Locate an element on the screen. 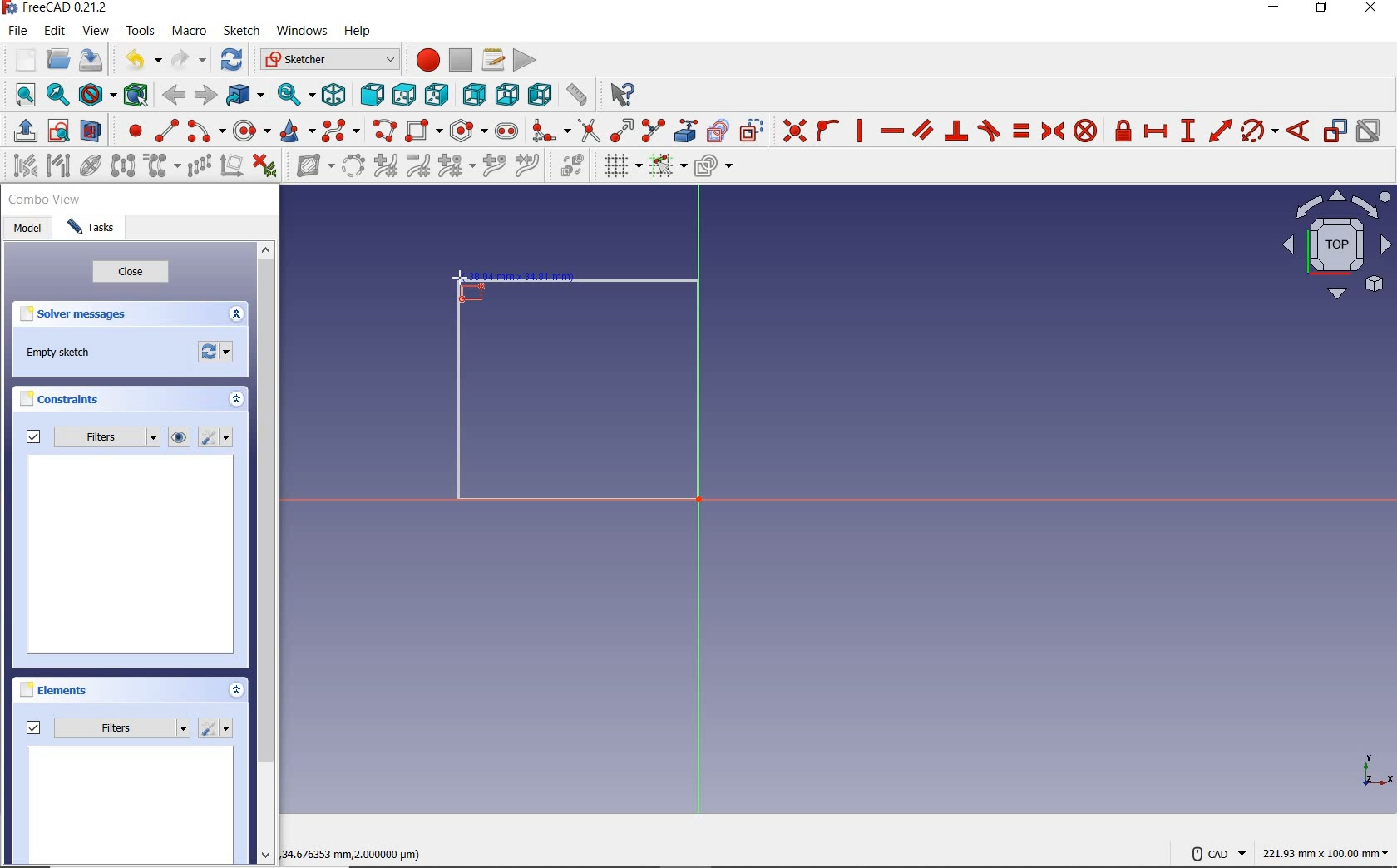  filters is located at coordinates (107, 727).